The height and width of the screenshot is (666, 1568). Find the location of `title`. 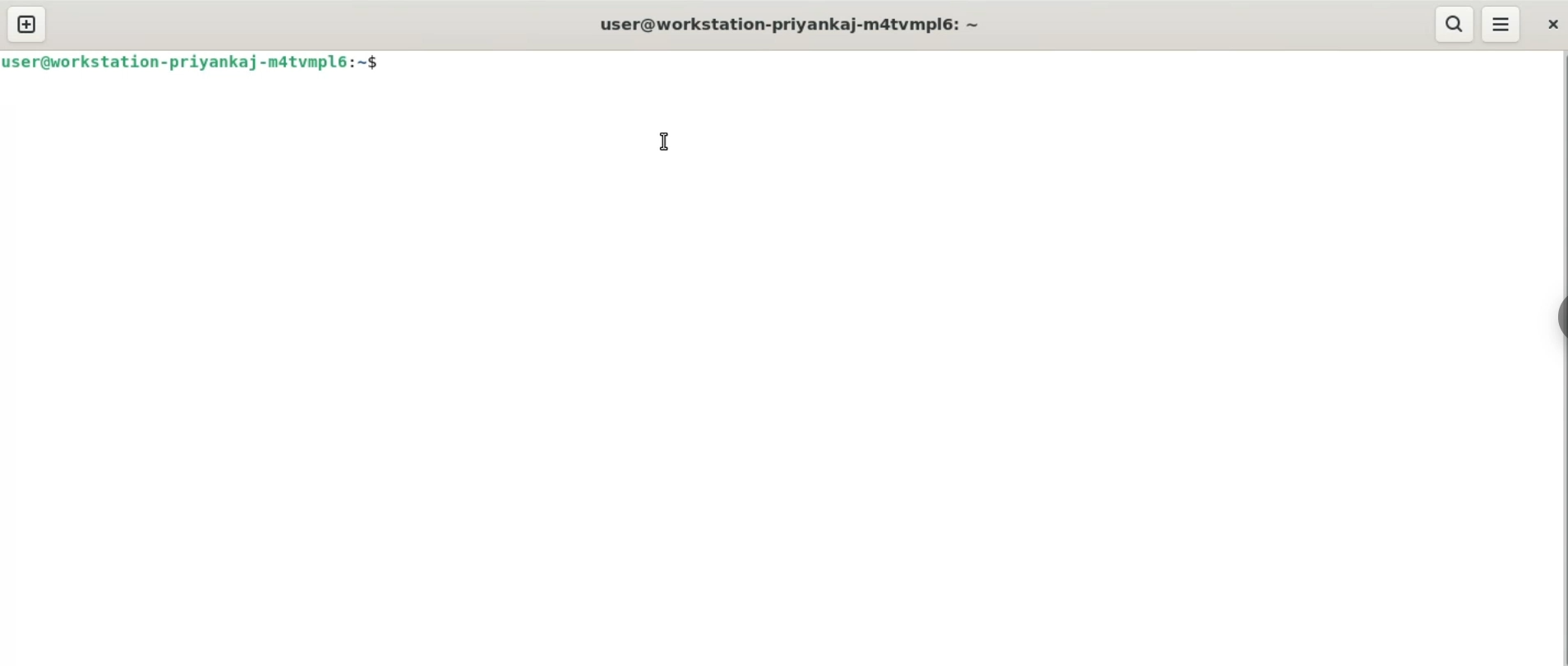

title is located at coordinates (791, 25).